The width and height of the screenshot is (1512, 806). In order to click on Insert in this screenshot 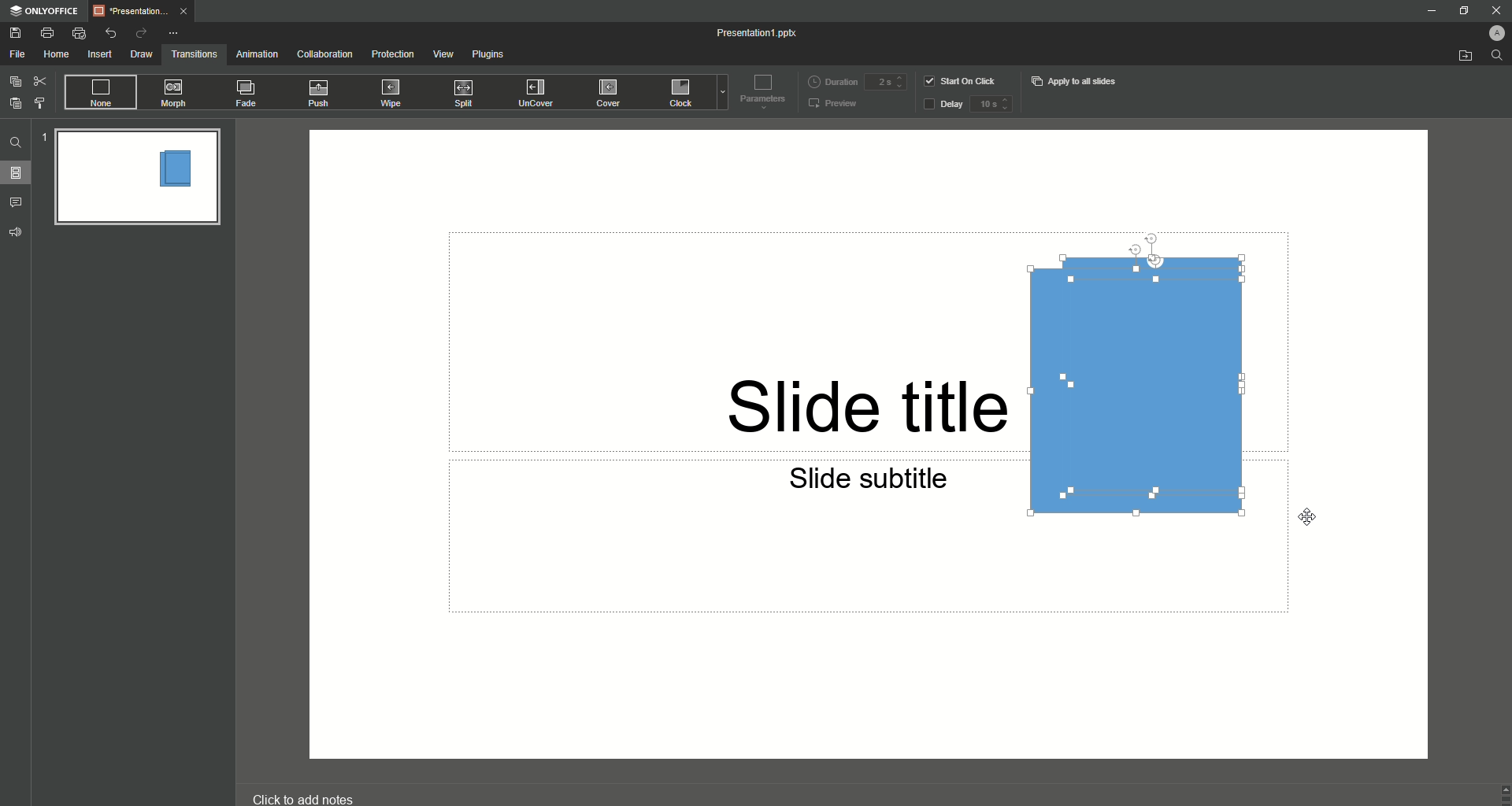, I will do `click(99, 55)`.